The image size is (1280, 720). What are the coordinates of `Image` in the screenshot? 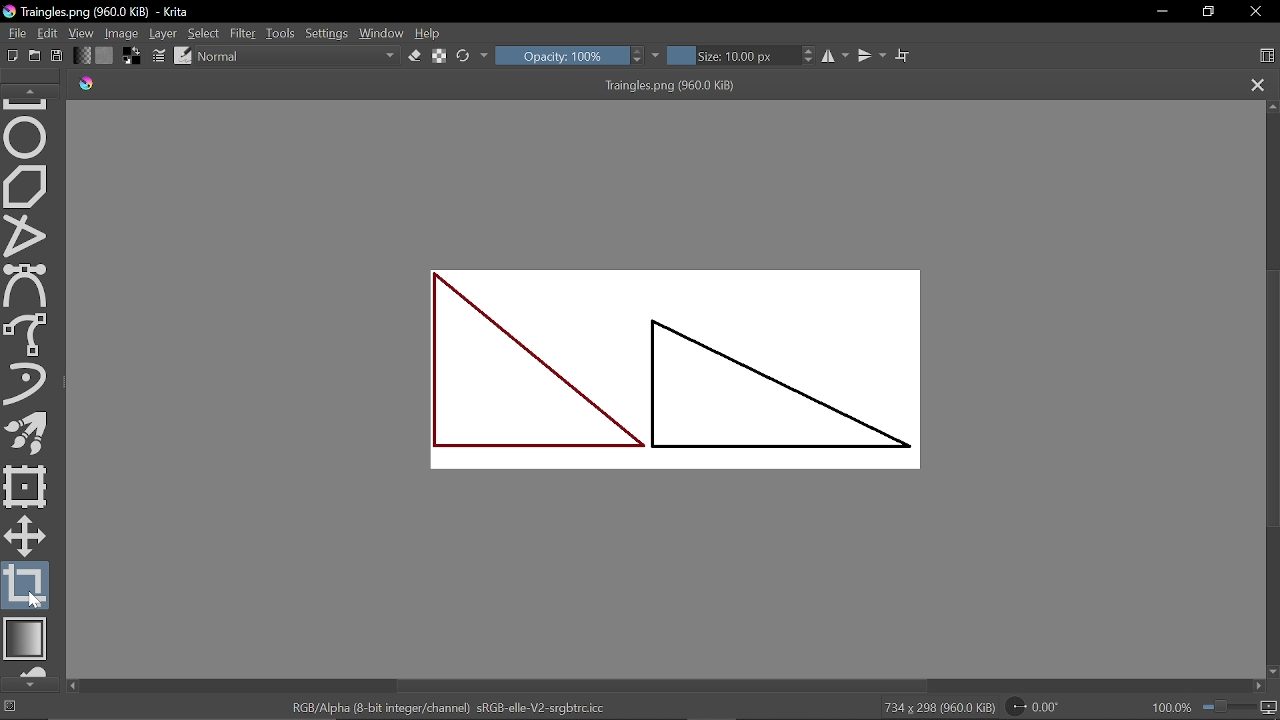 It's located at (123, 32).